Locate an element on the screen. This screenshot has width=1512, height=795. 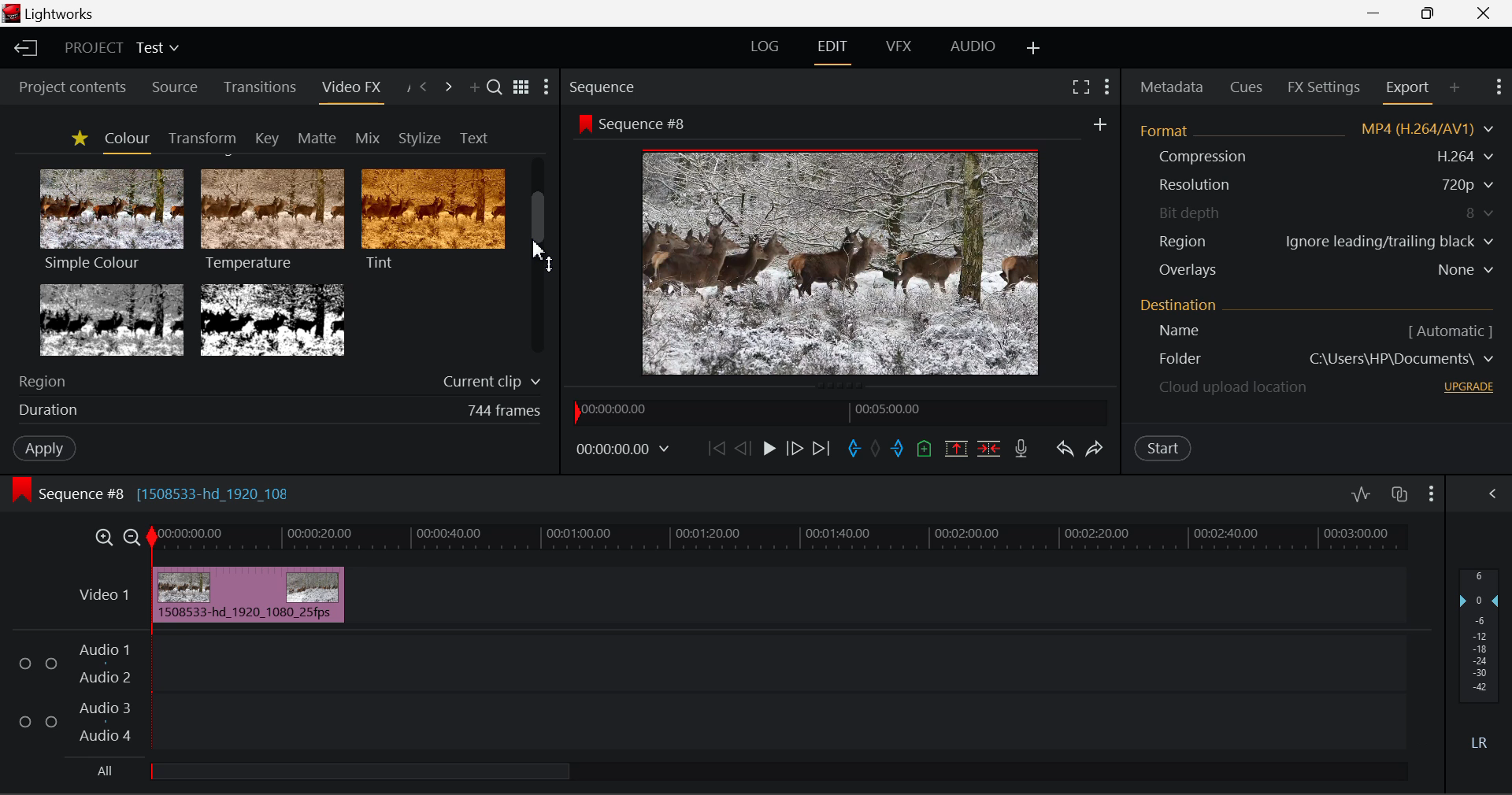
Sequence #8 is located at coordinates (649, 125).